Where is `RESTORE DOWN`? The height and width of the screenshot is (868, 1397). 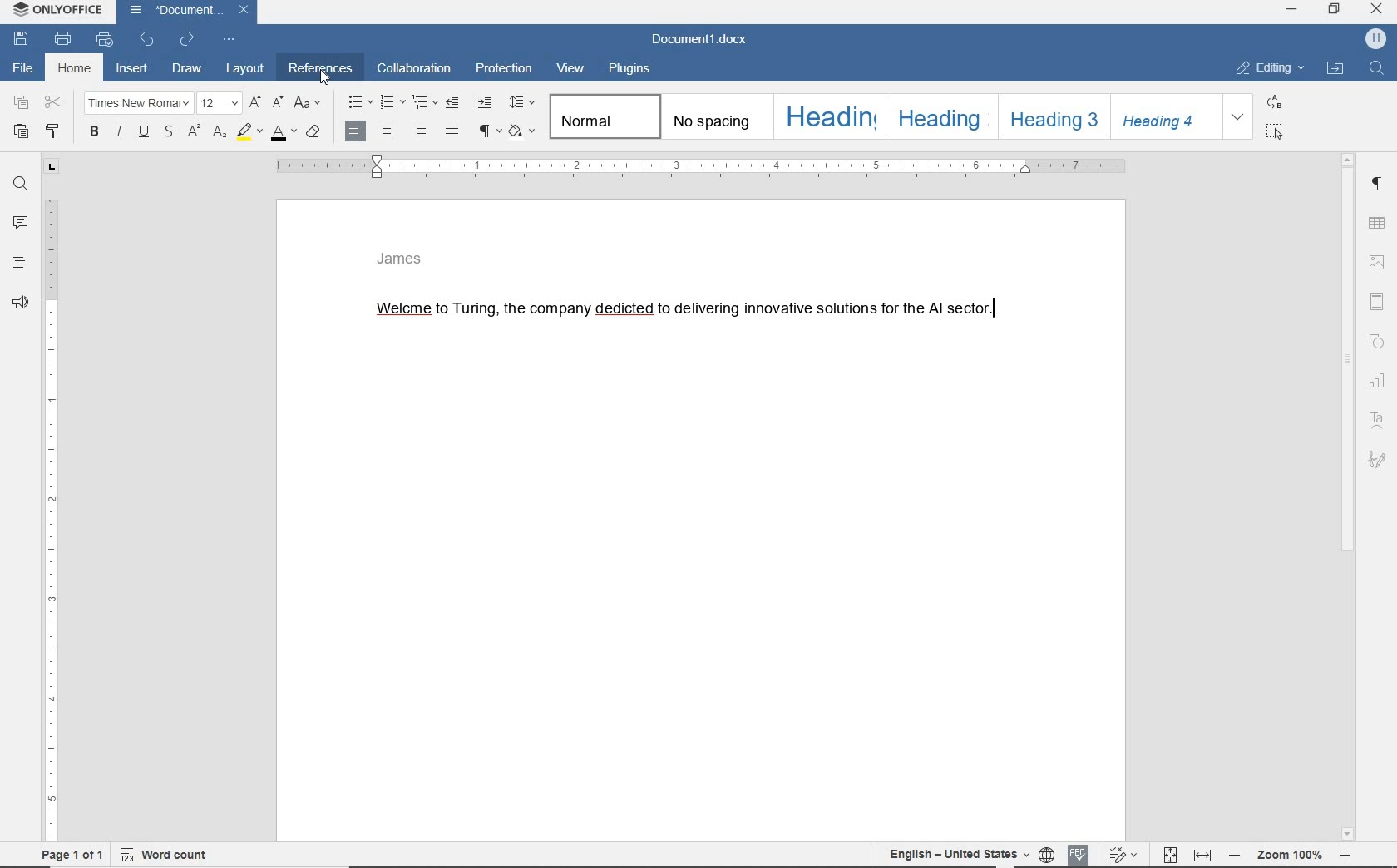 RESTORE DOWN is located at coordinates (1336, 11).